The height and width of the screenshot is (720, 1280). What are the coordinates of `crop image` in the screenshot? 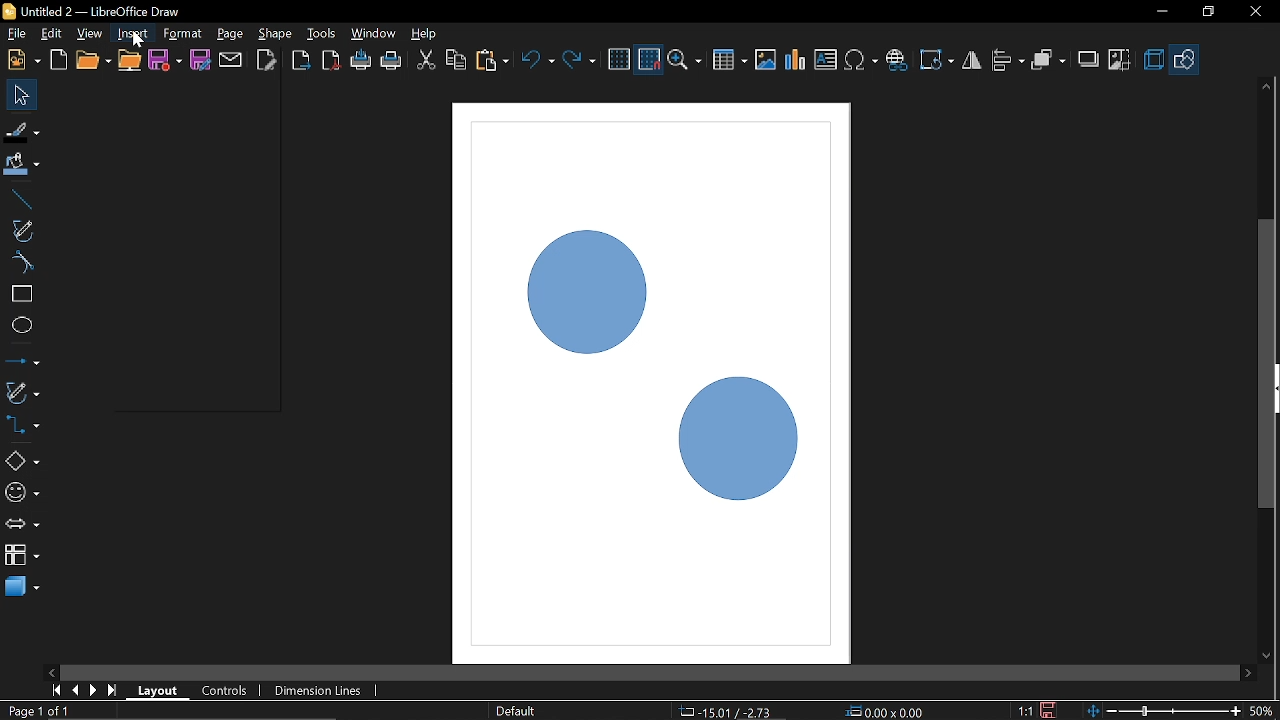 It's located at (1120, 61).